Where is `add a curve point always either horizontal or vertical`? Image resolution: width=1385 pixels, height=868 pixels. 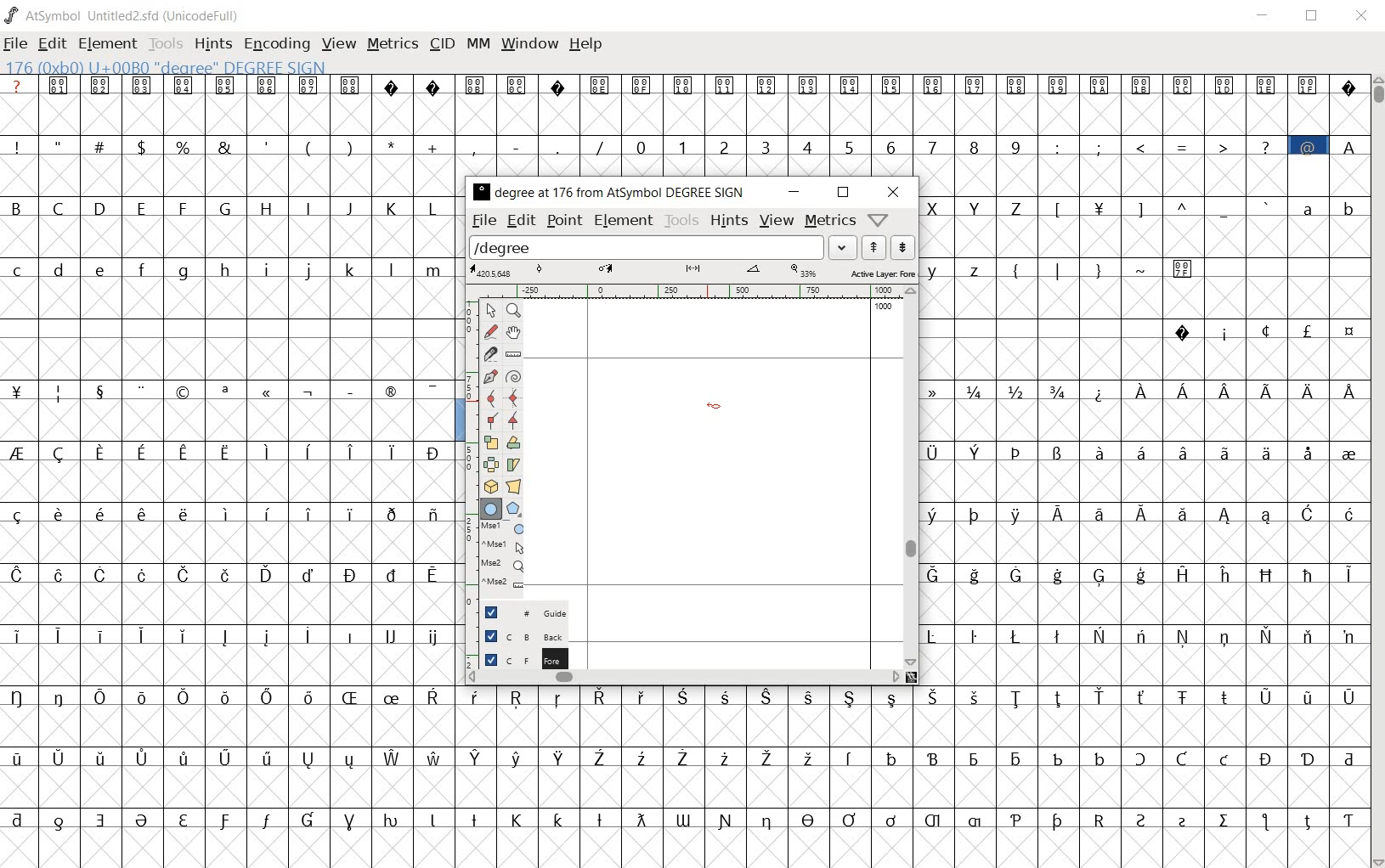
add a curve point always either horizontal or vertical is located at coordinates (515, 397).